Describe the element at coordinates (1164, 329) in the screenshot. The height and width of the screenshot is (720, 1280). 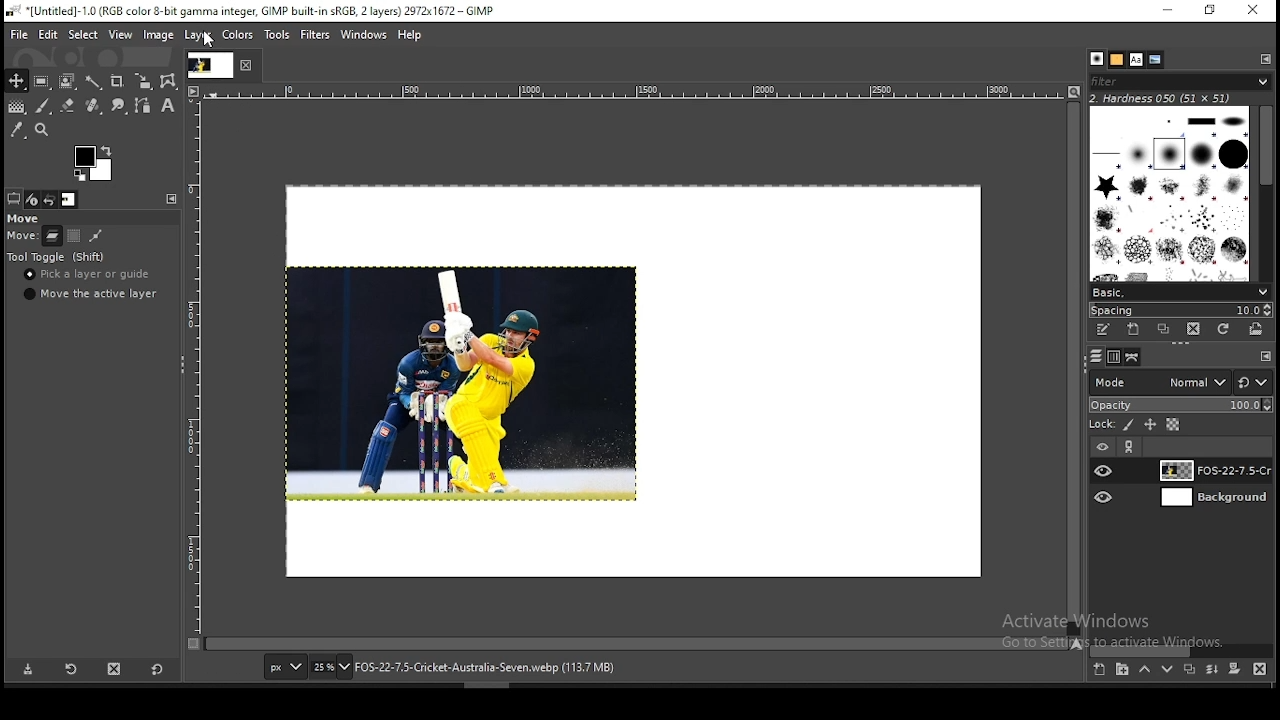
I see `duplicate brush` at that location.